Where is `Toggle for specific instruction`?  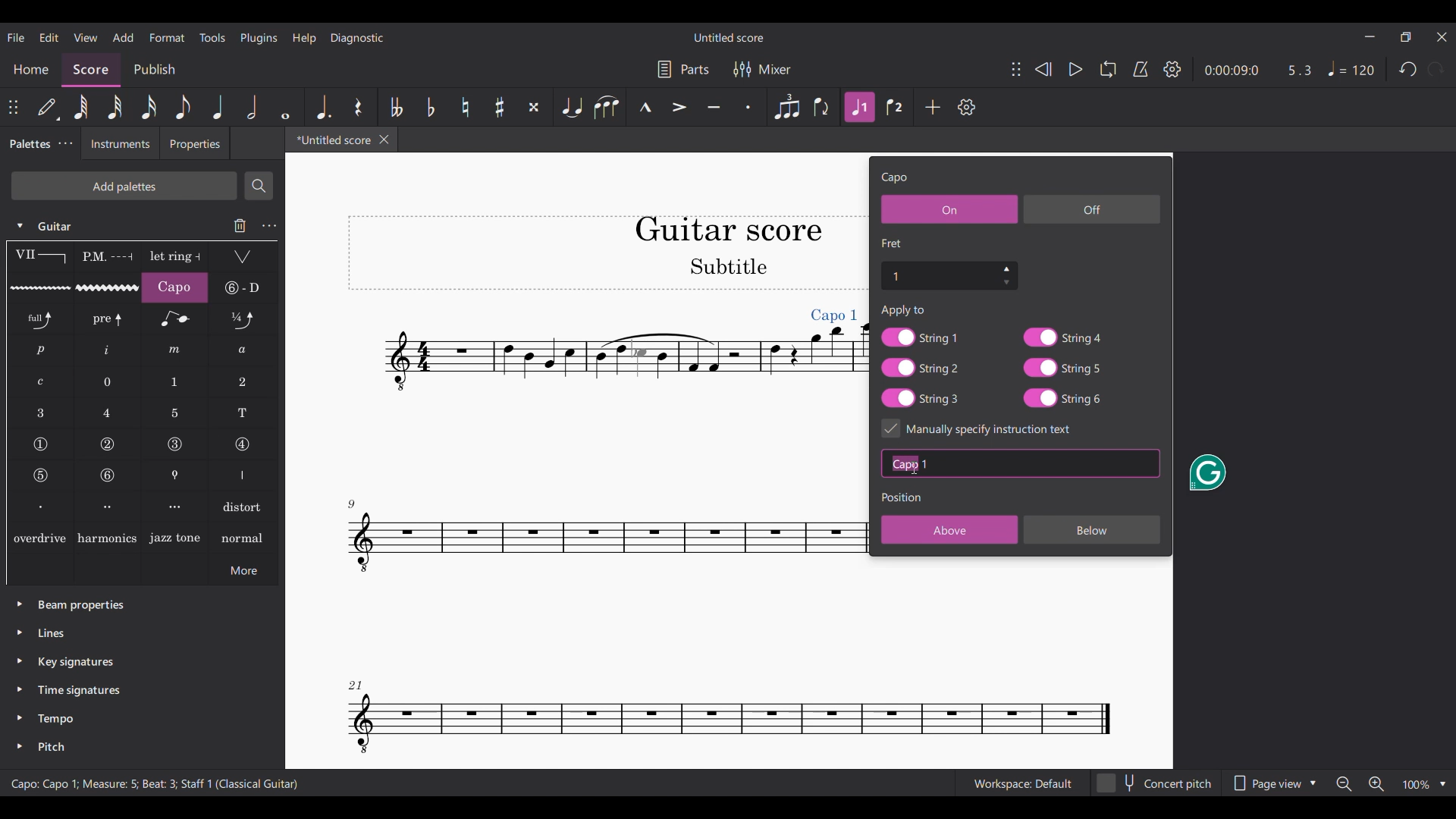 Toggle for specific instruction is located at coordinates (990, 428).